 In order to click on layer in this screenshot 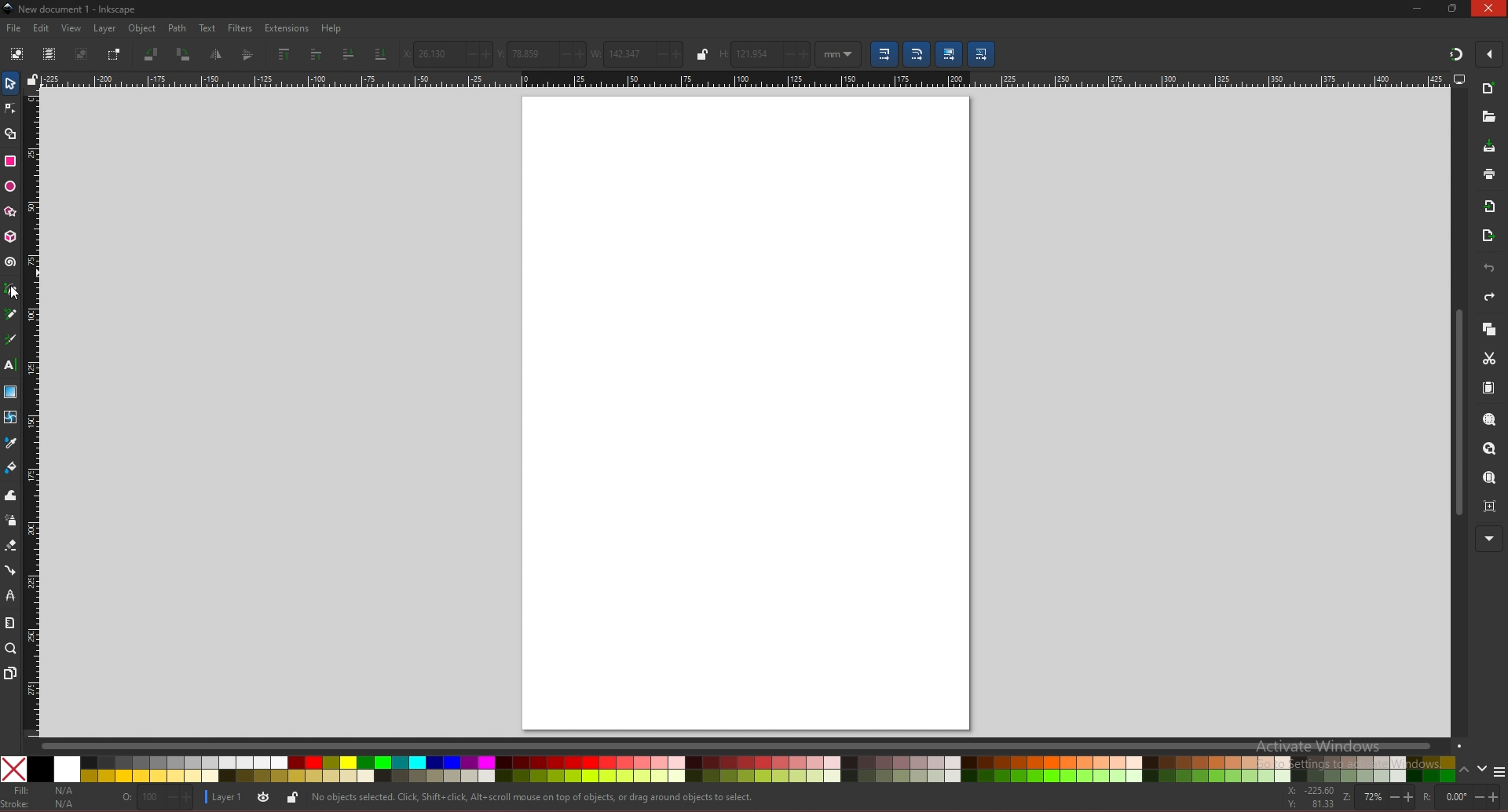, I will do `click(225, 796)`.